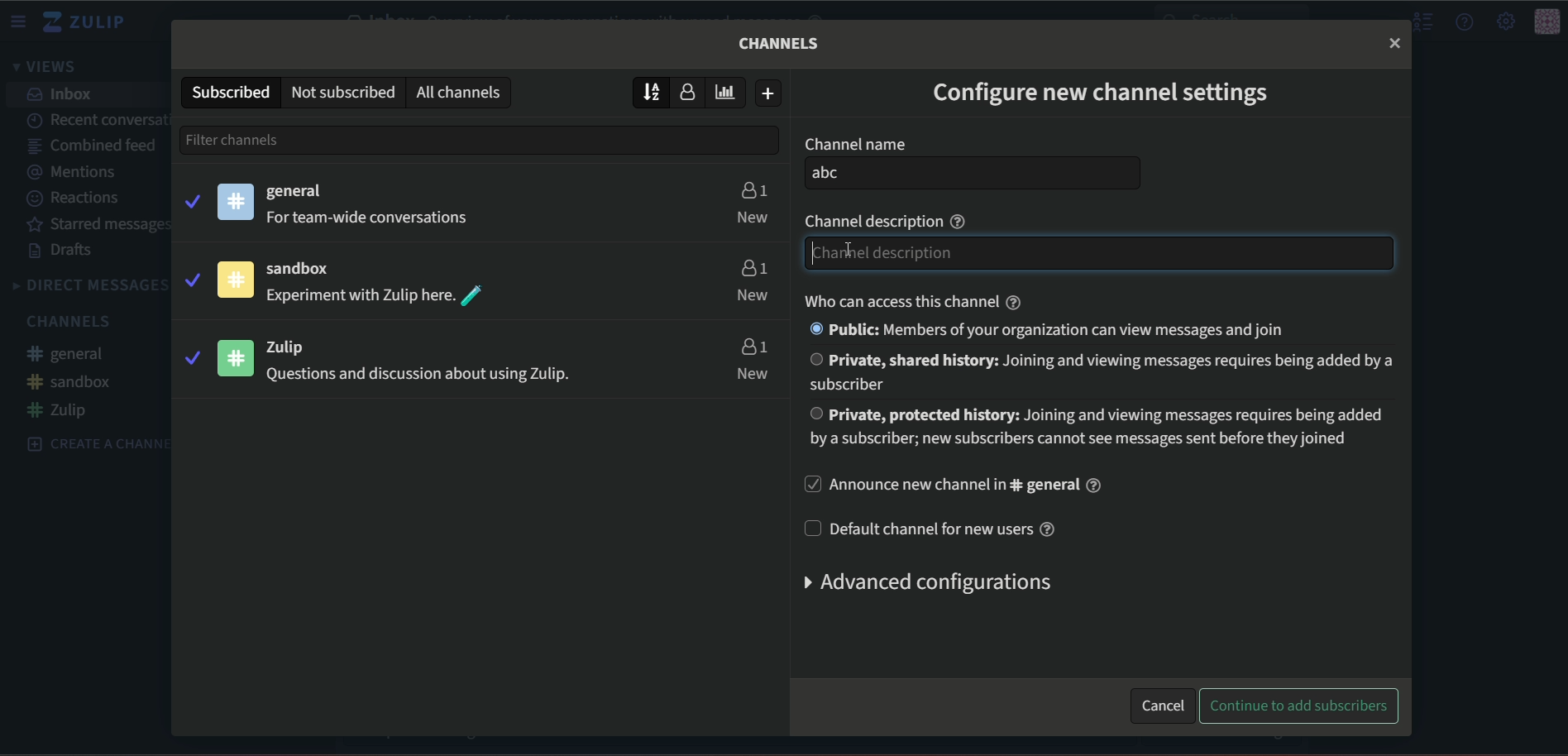  What do you see at coordinates (1504, 21) in the screenshot?
I see `main menu` at bounding box center [1504, 21].